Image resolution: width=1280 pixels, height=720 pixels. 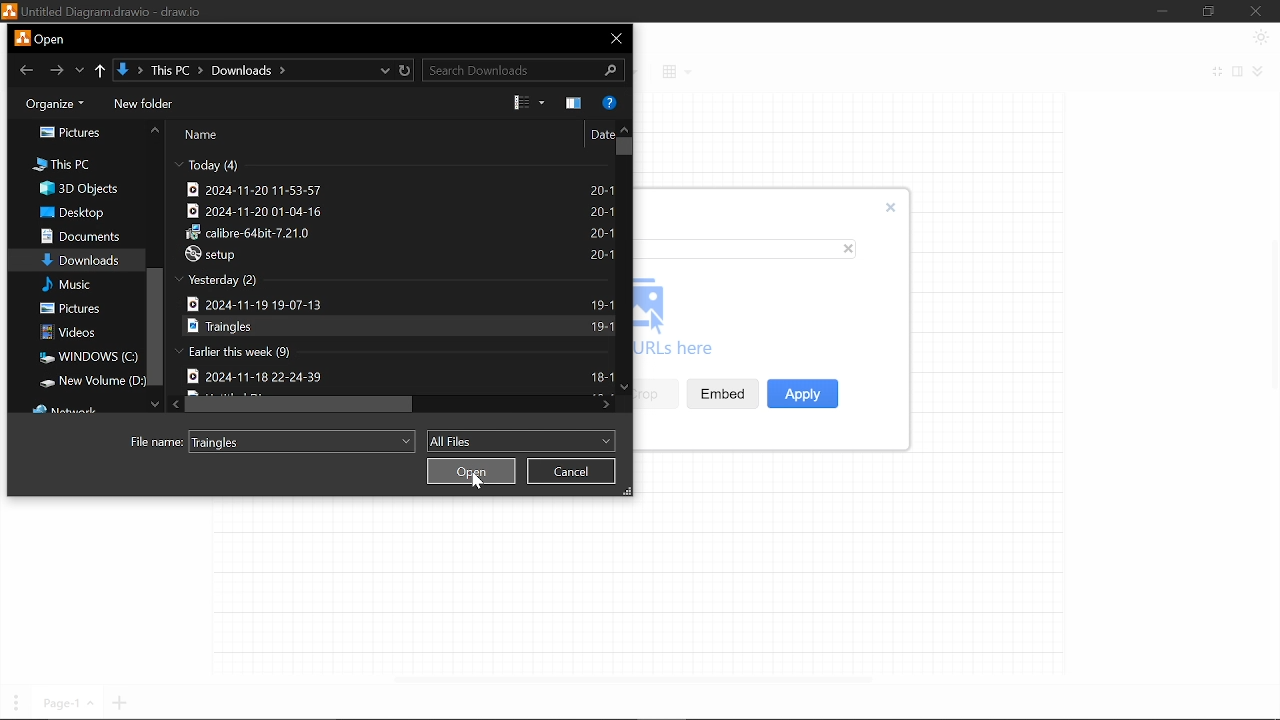 I want to click on Previous location, so click(x=78, y=70).